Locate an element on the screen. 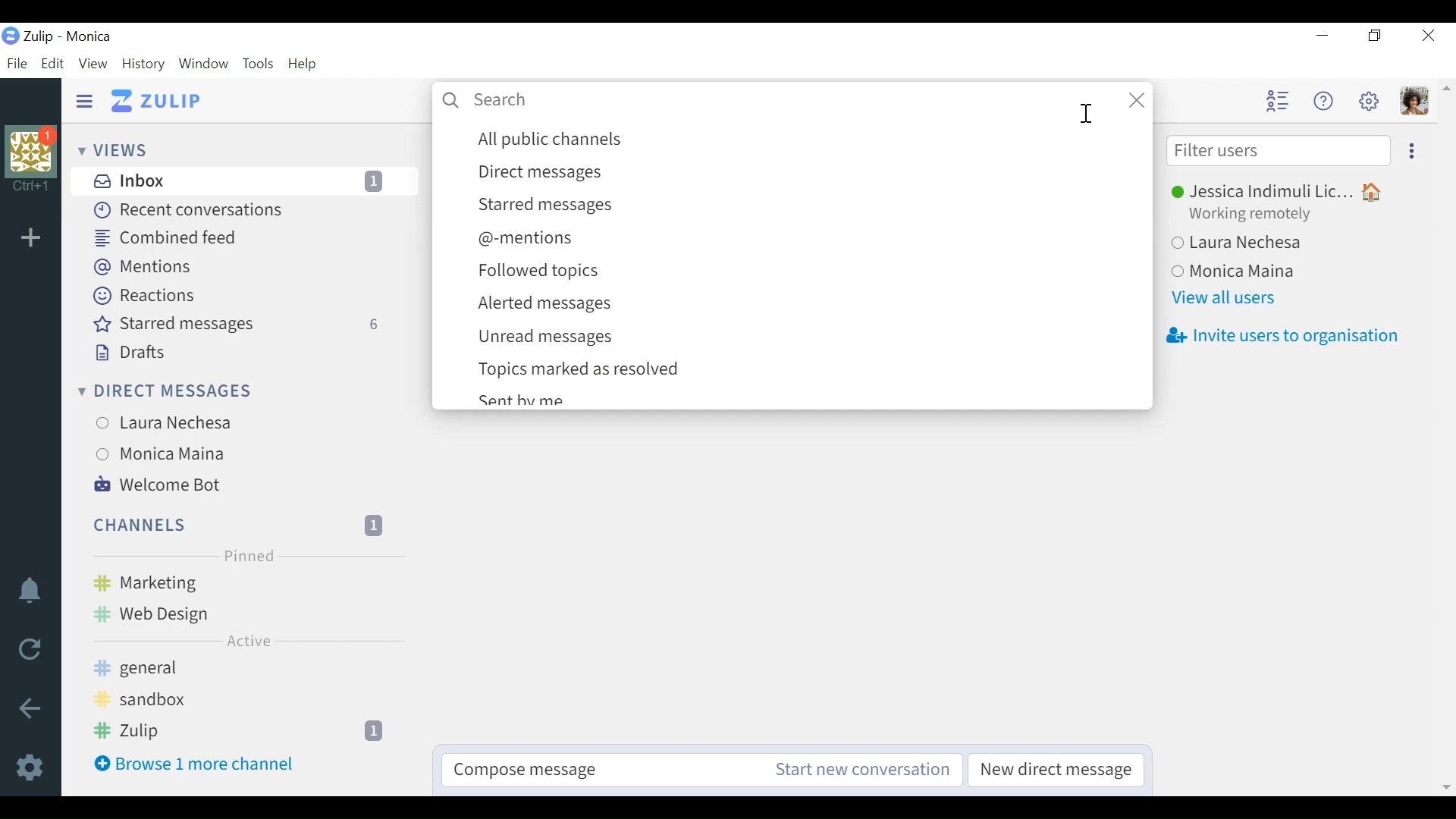  Unread messages is located at coordinates (804, 338).